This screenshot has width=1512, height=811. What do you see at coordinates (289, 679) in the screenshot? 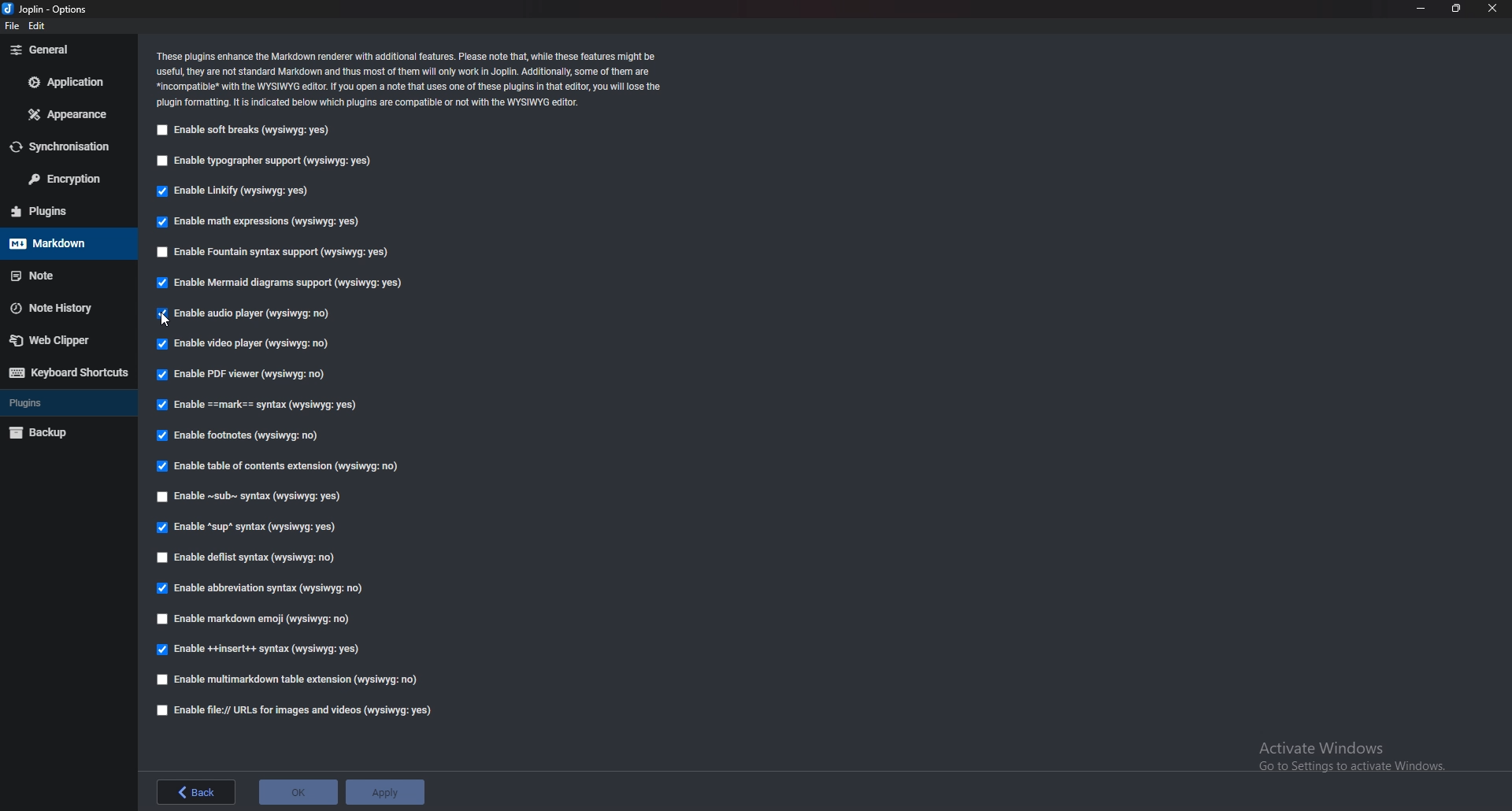
I see `enable multimarkdown table extension` at bounding box center [289, 679].